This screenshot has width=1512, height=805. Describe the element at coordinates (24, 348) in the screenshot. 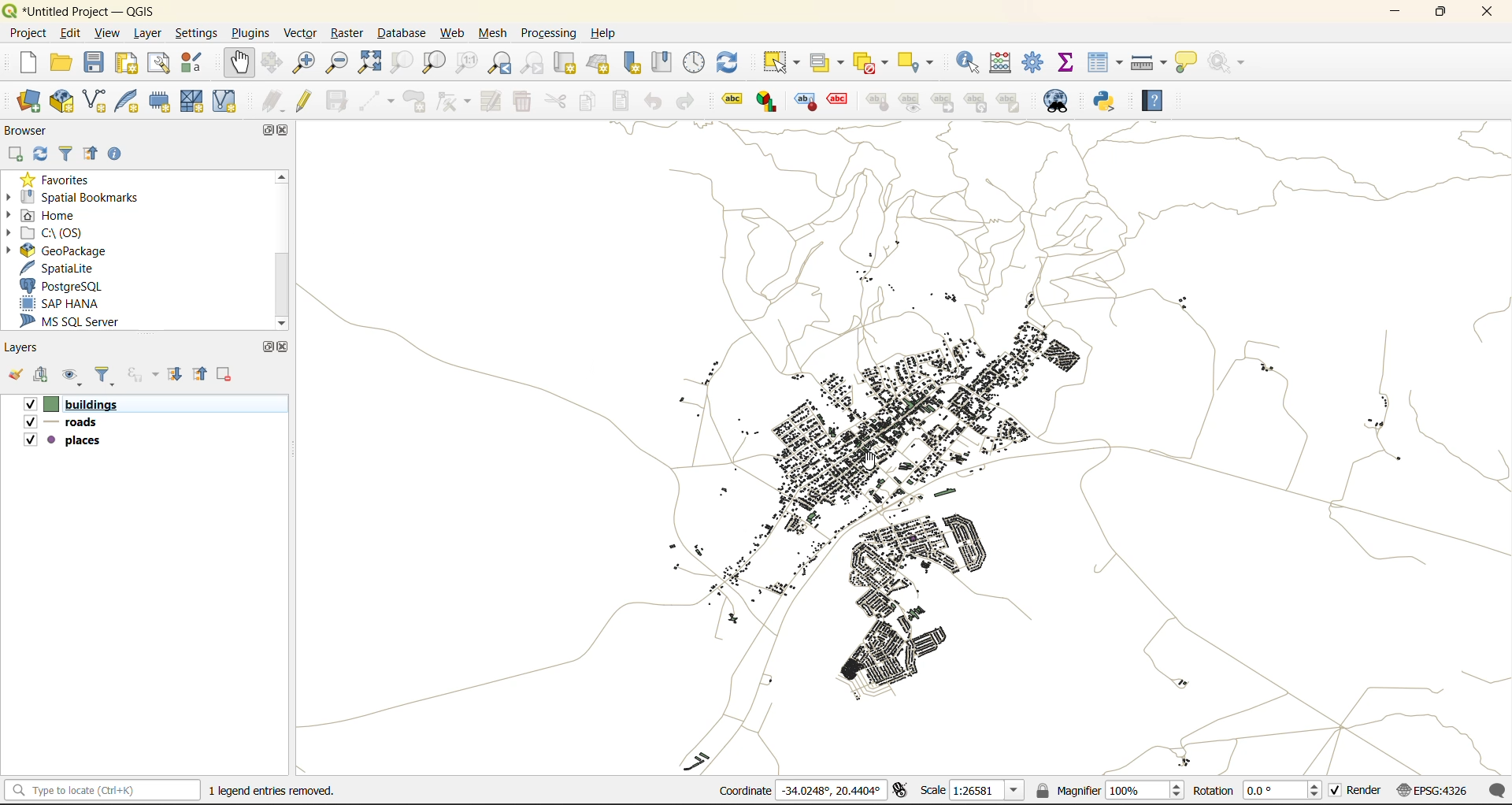

I see `layers` at that location.